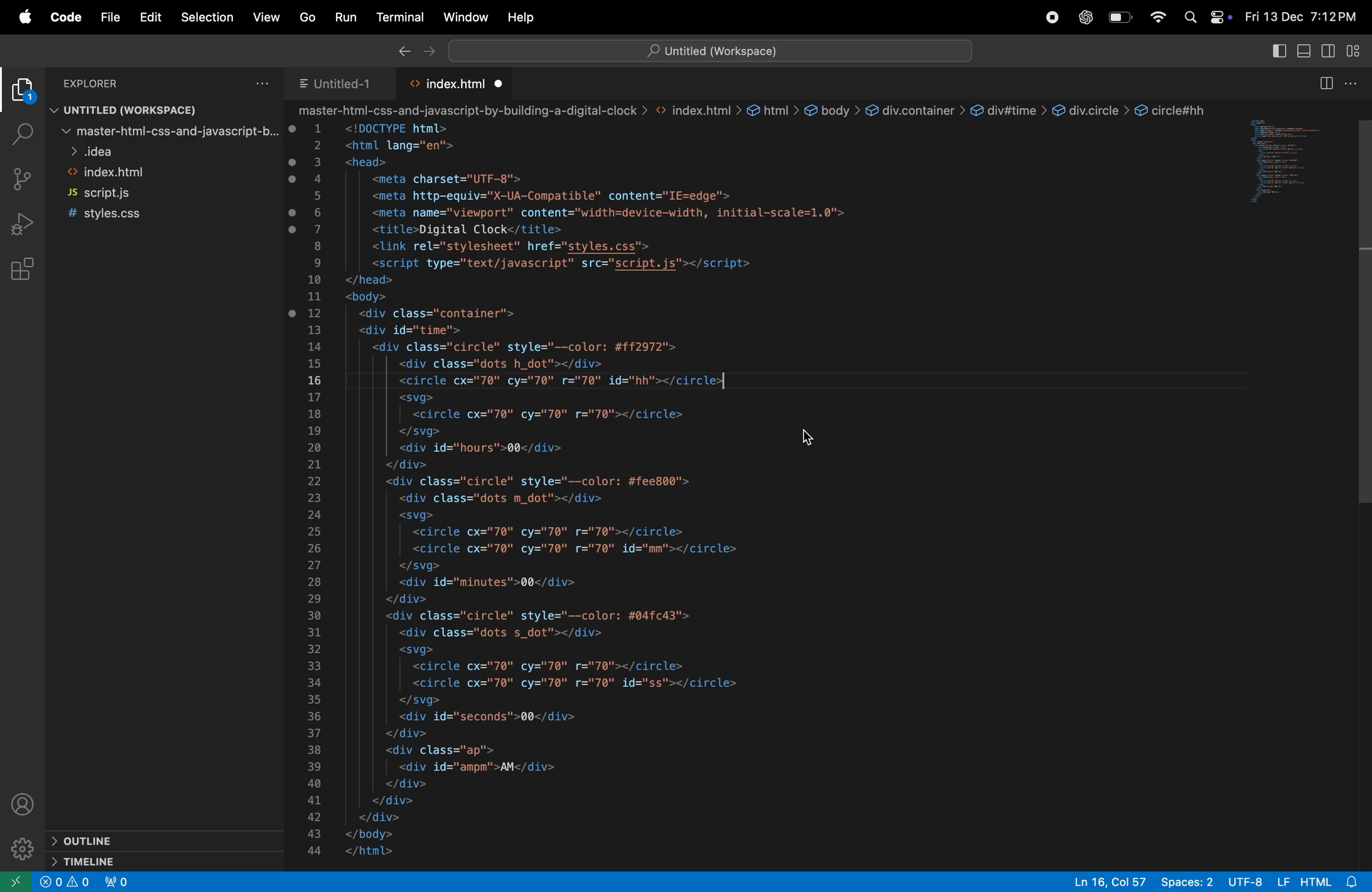 This screenshot has width=1372, height=892. Describe the element at coordinates (1278, 52) in the screenshot. I see `toggle primary side bar` at that location.